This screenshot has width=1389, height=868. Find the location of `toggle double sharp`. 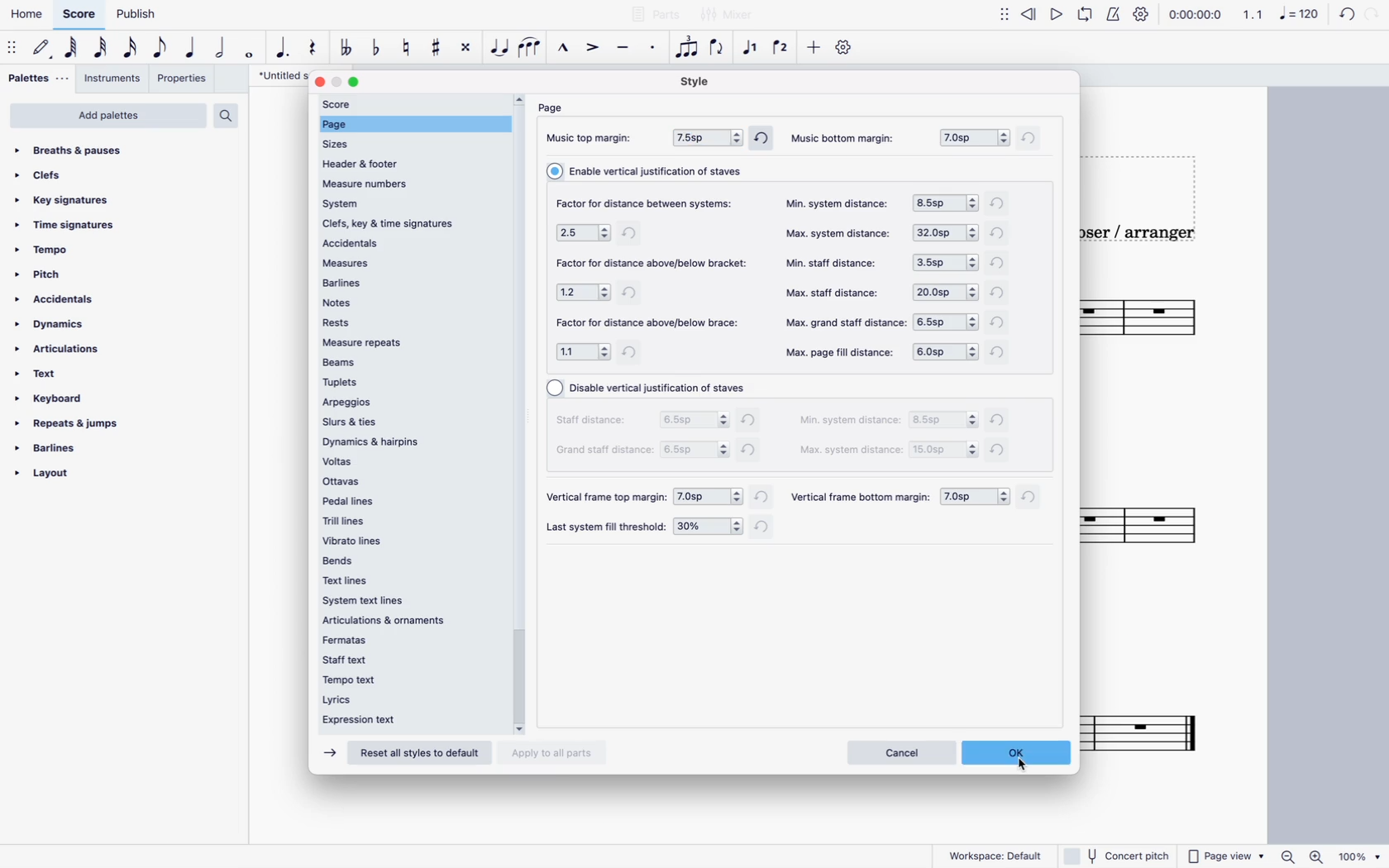

toggle double sharp is located at coordinates (465, 49).